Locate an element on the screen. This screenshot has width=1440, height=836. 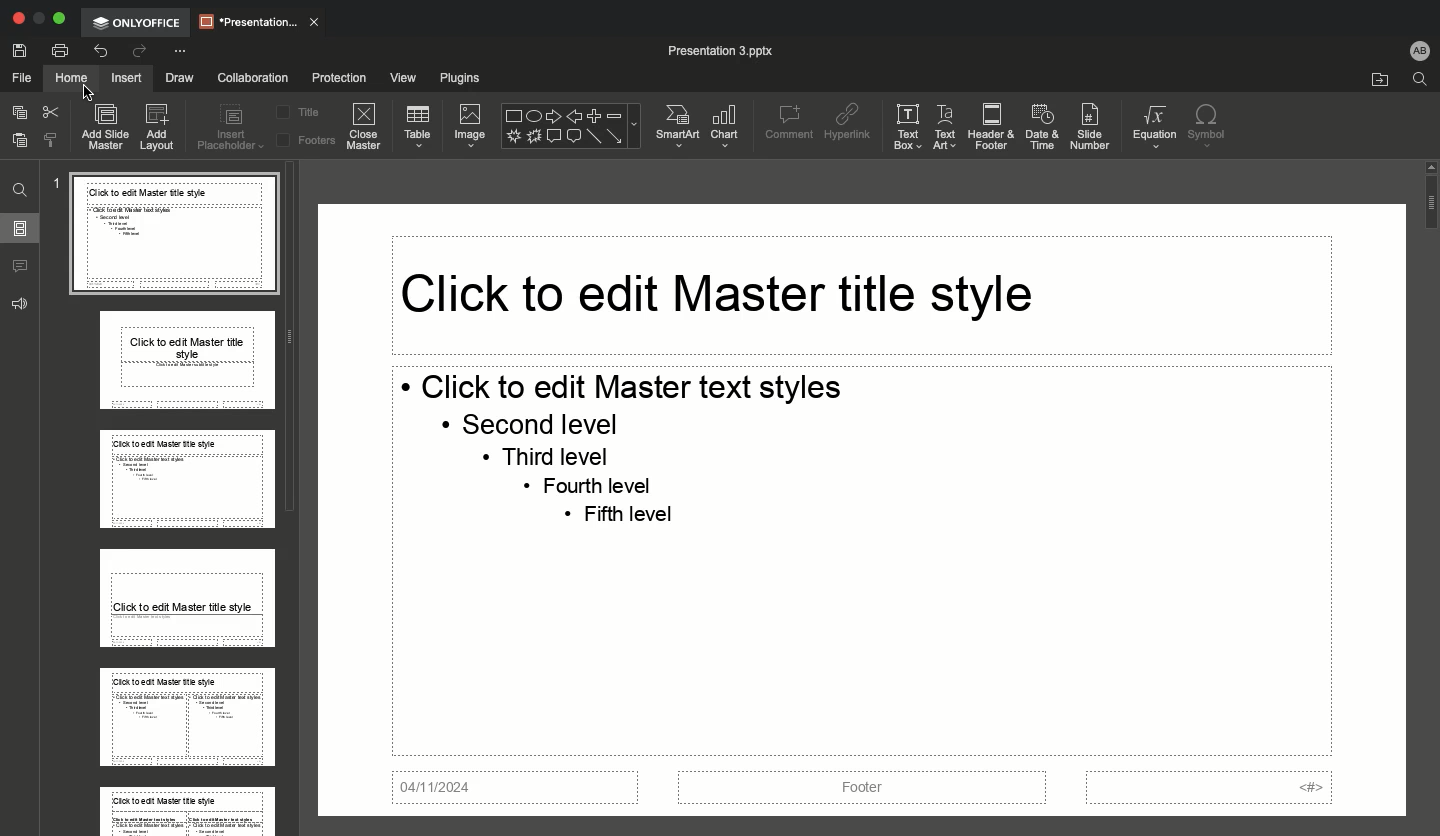
« Third level is located at coordinates (562, 457).